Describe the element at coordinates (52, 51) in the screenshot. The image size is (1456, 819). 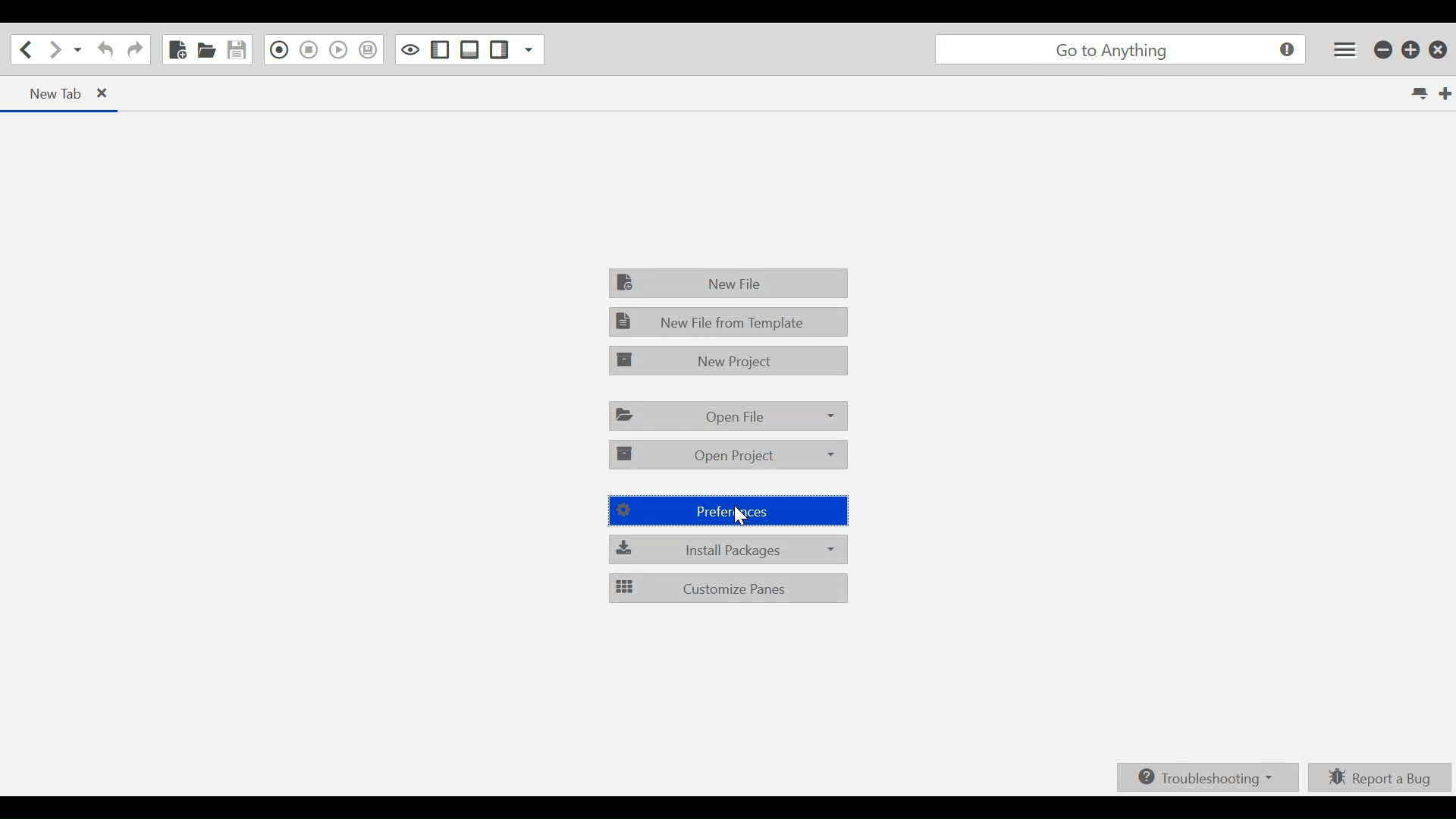
I see `Go forward one location` at that location.